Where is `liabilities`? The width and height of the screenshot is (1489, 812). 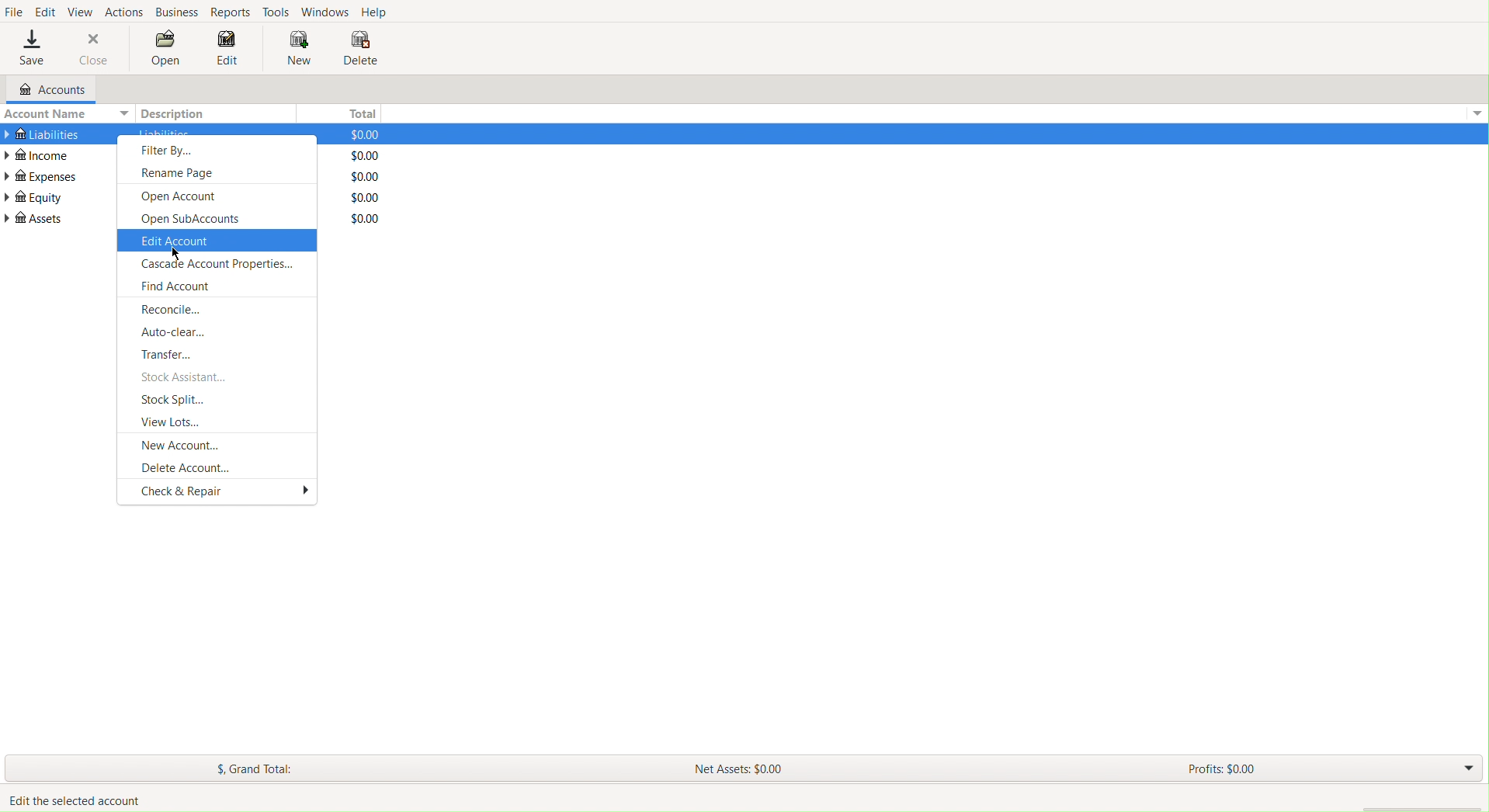 liabilities is located at coordinates (164, 132).